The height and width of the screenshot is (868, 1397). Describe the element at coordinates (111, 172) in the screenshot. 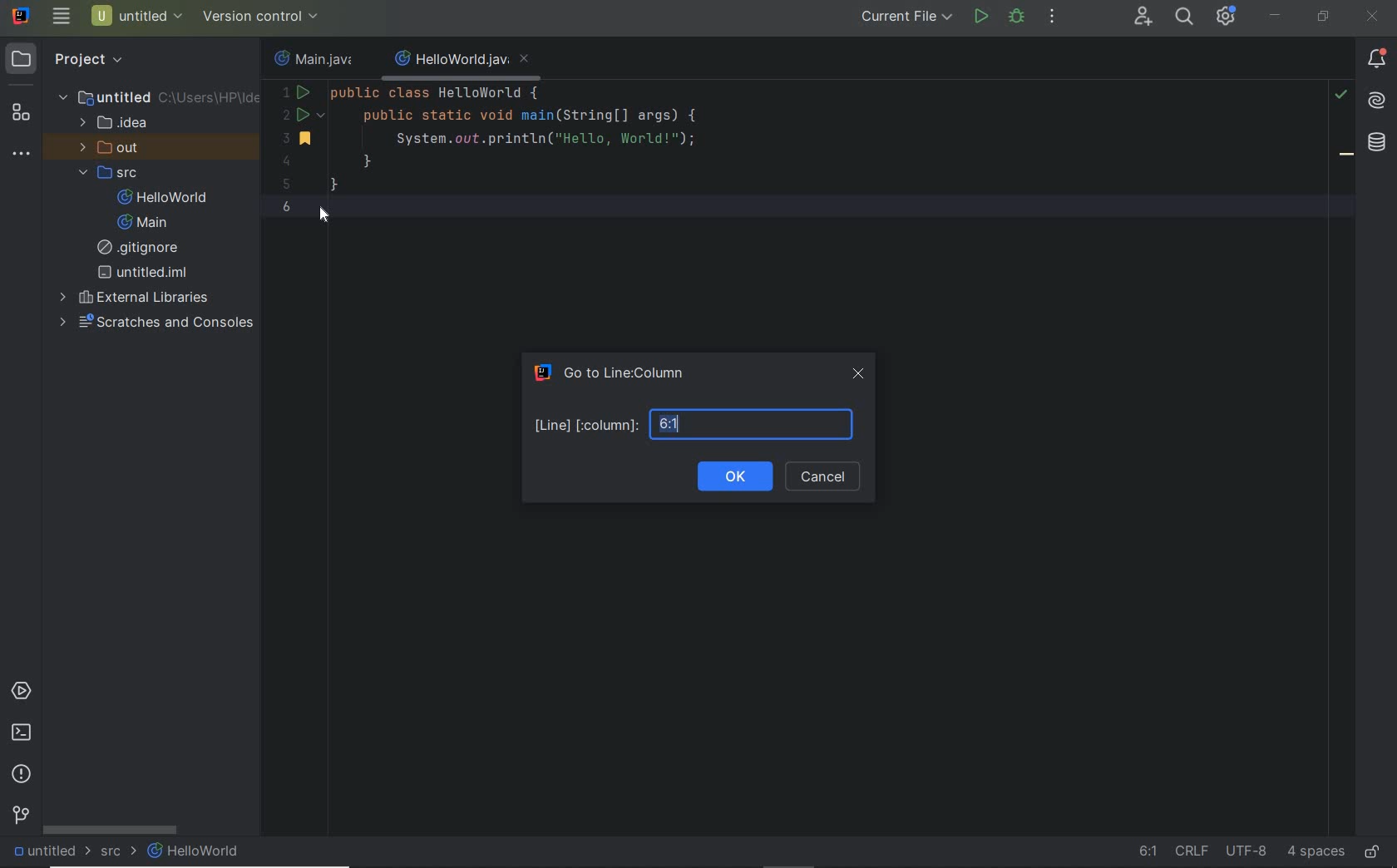

I see `src` at that location.